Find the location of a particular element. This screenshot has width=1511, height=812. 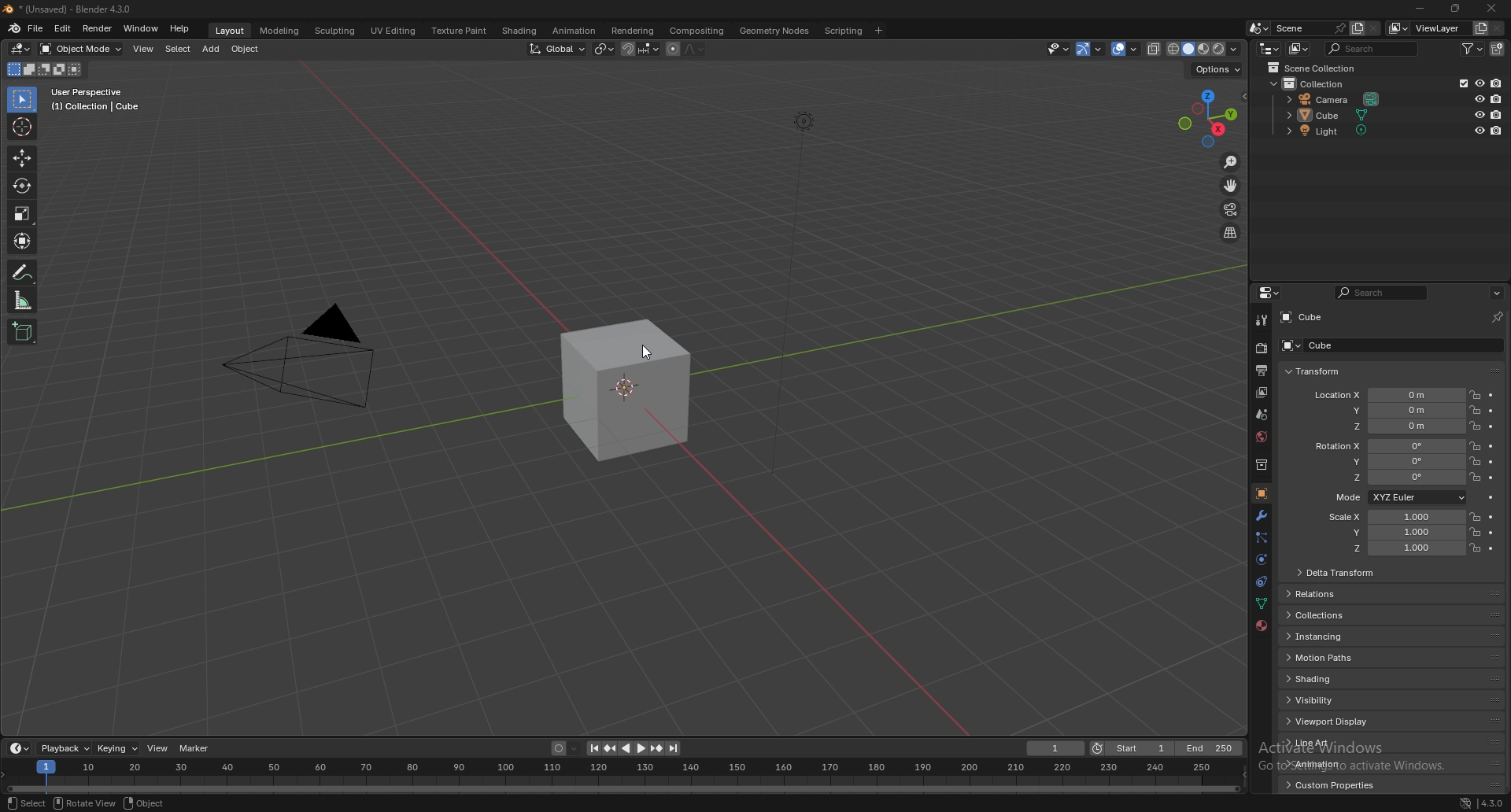

minimize is located at coordinates (1421, 9).